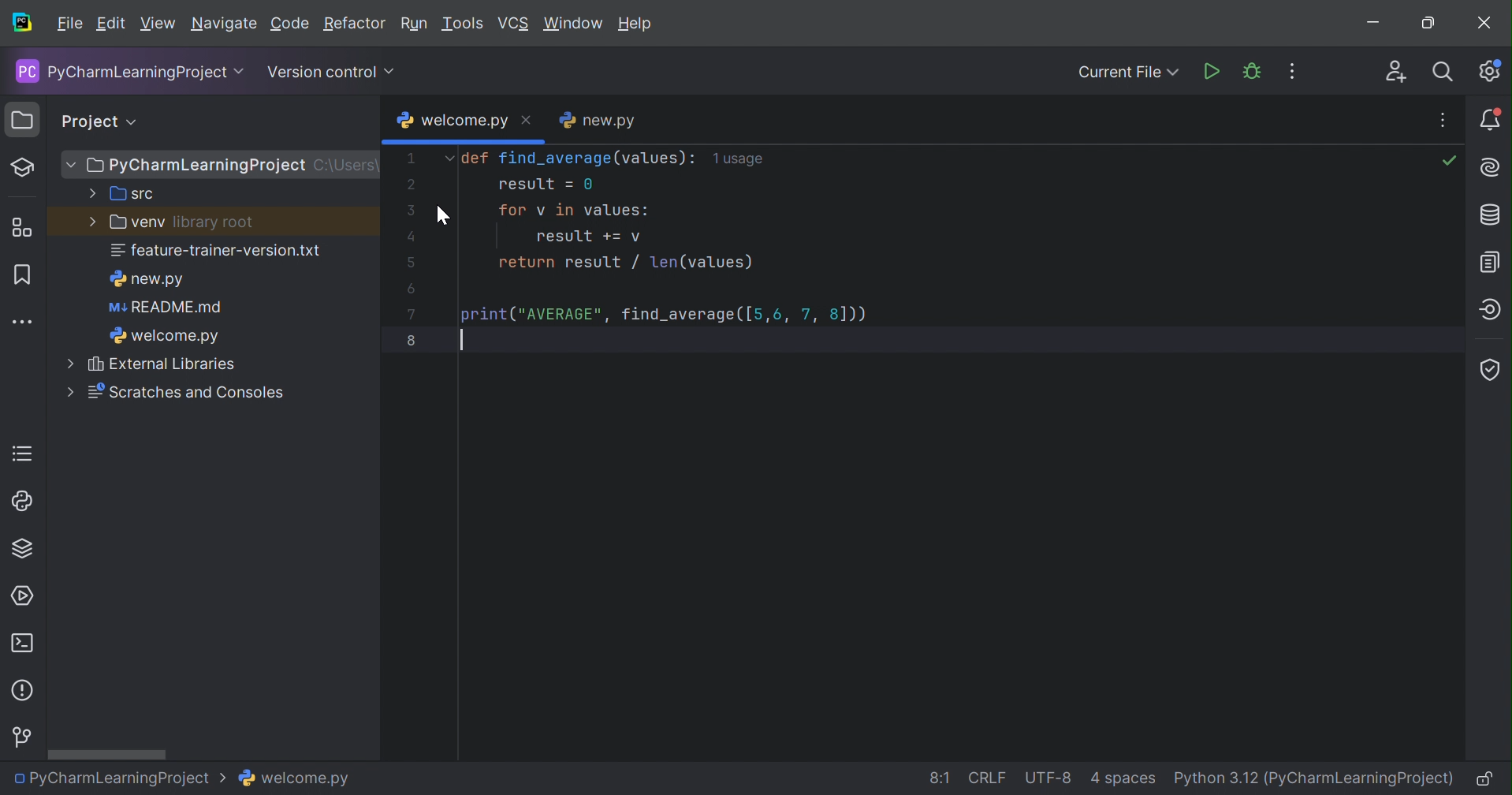 The image size is (1512, 795). I want to click on Bookmarks, so click(24, 275).